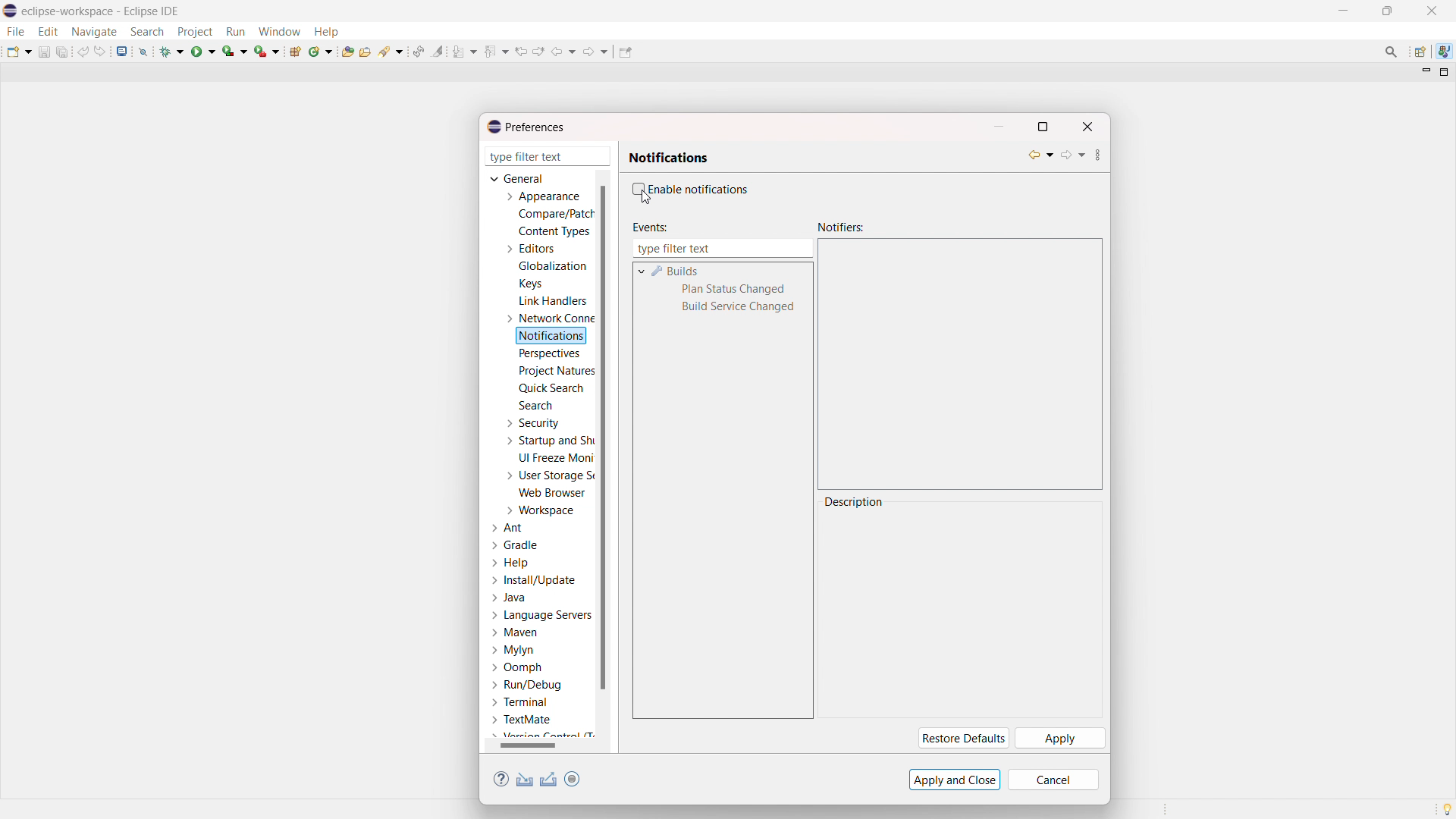 This screenshot has height=819, width=1456. What do you see at coordinates (1392, 52) in the screenshot?
I see `access commands and other items` at bounding box center [1392, 52].